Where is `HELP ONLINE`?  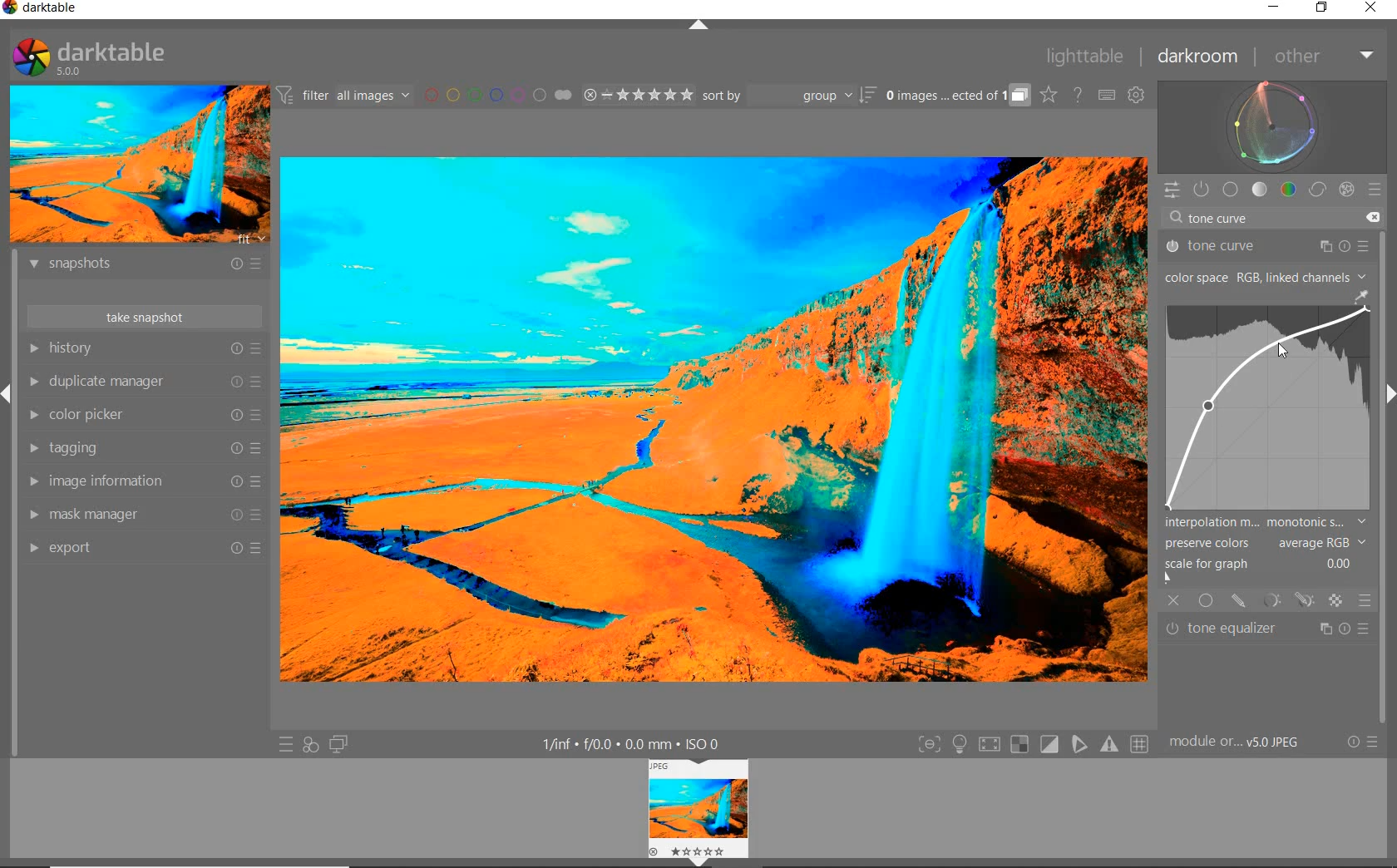 HELP ONLINE is located at coordinates (1078, 95).